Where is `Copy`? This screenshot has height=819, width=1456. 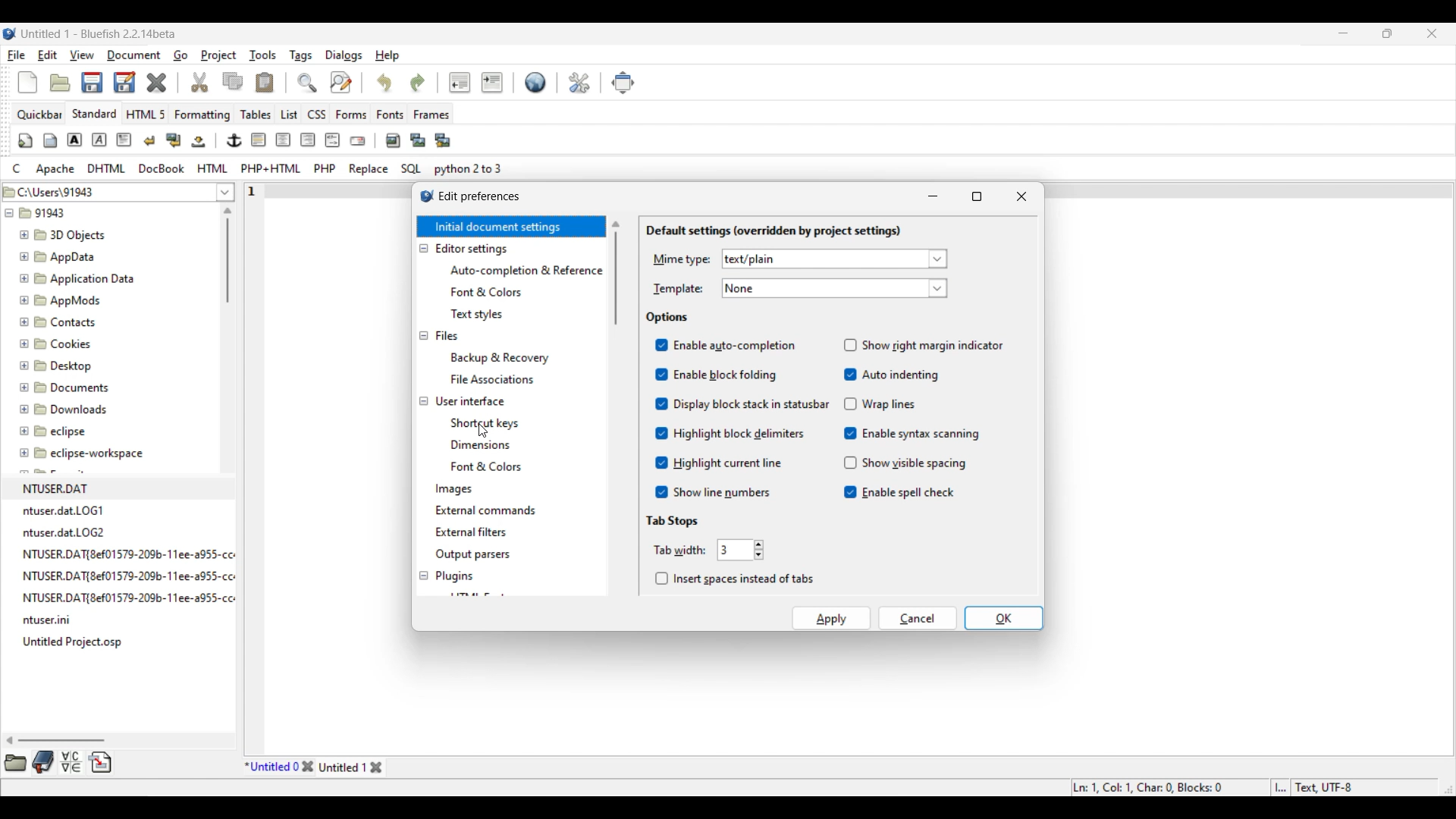 Copy is located at coordinates (233, 81).